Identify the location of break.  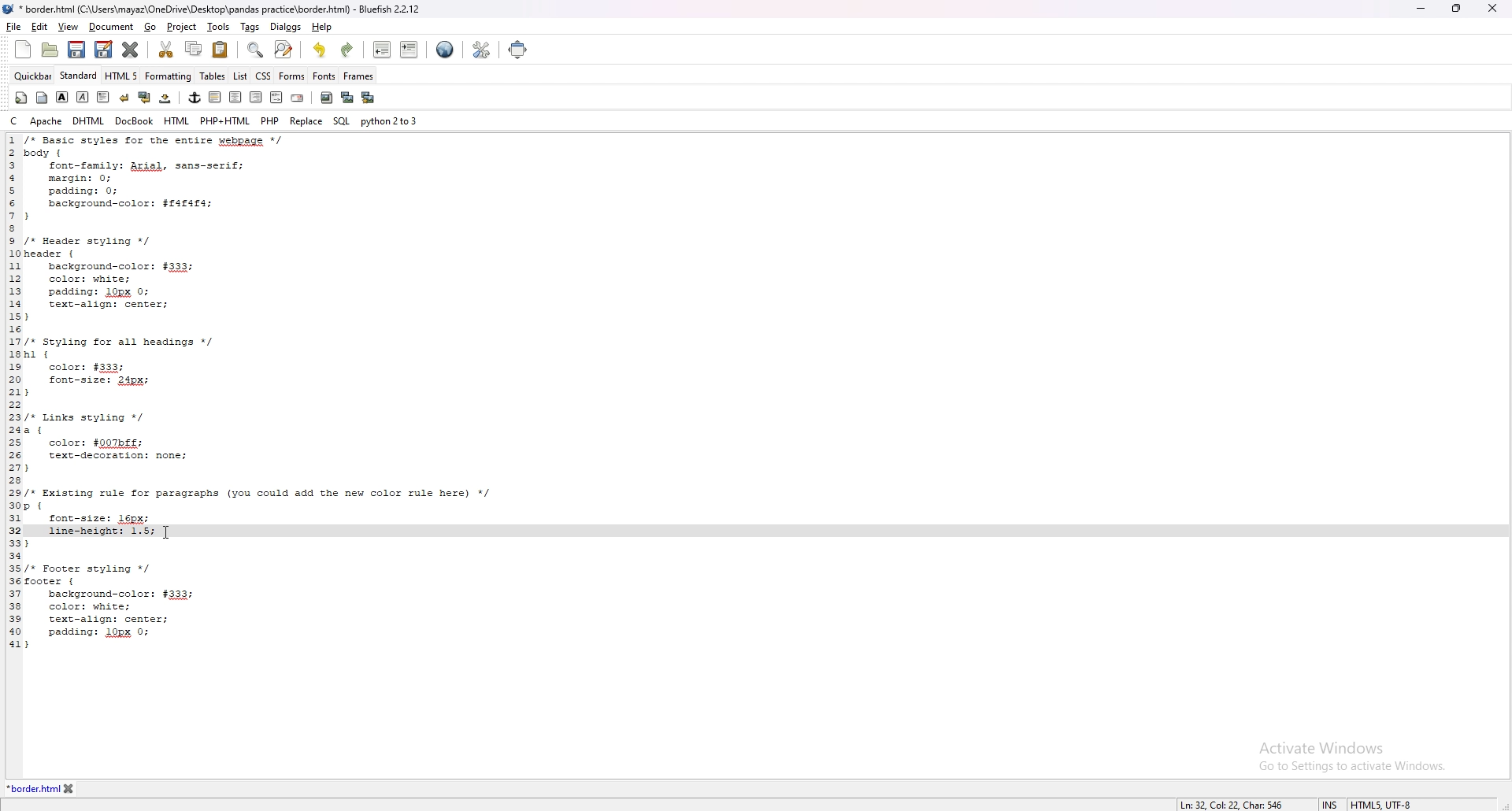
(125, 96).